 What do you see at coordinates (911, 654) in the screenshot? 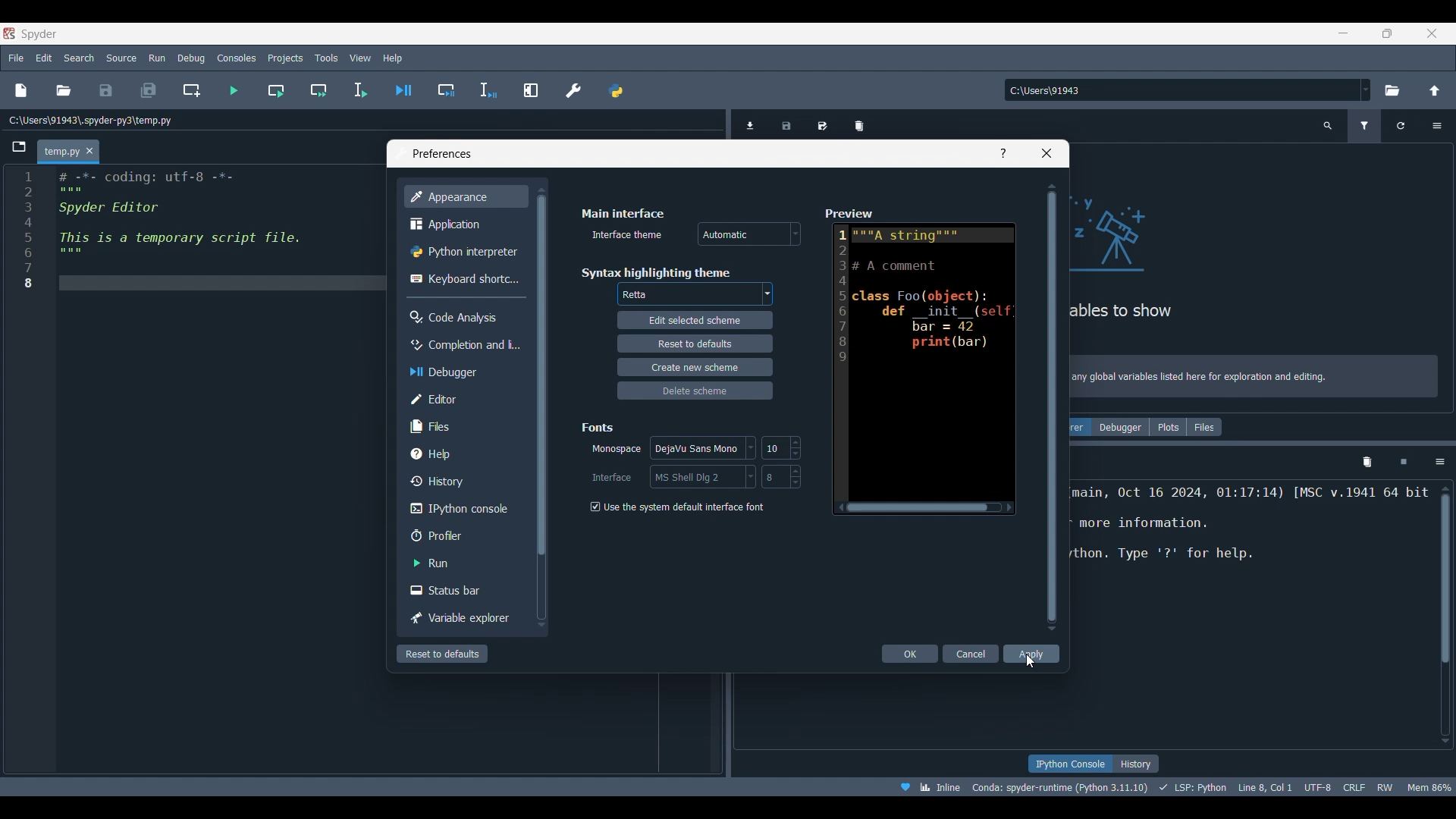
I see `OK` at bounding box center [911, 654].